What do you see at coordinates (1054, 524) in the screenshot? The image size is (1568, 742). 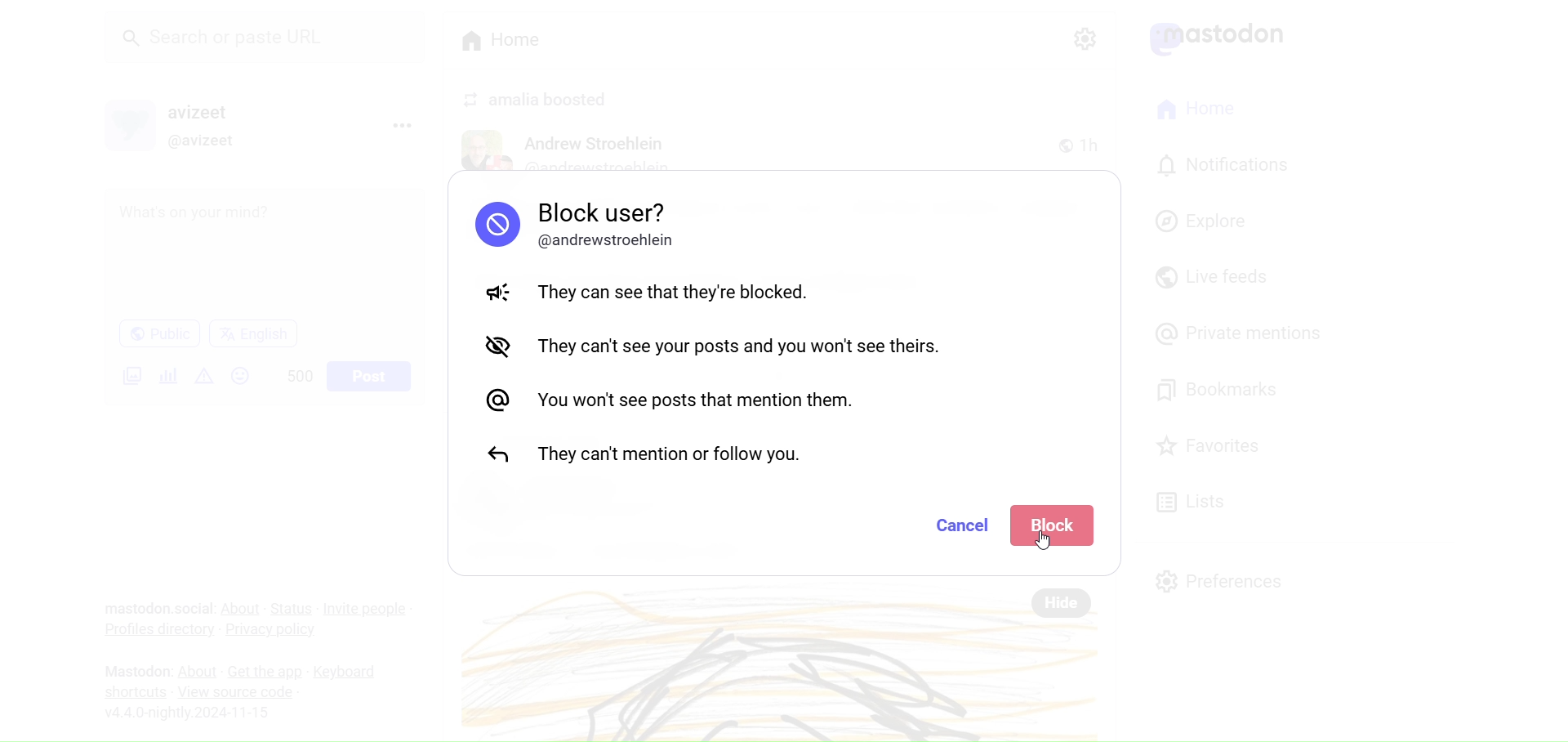 I see `Block` at bounding box center [1054, 524].